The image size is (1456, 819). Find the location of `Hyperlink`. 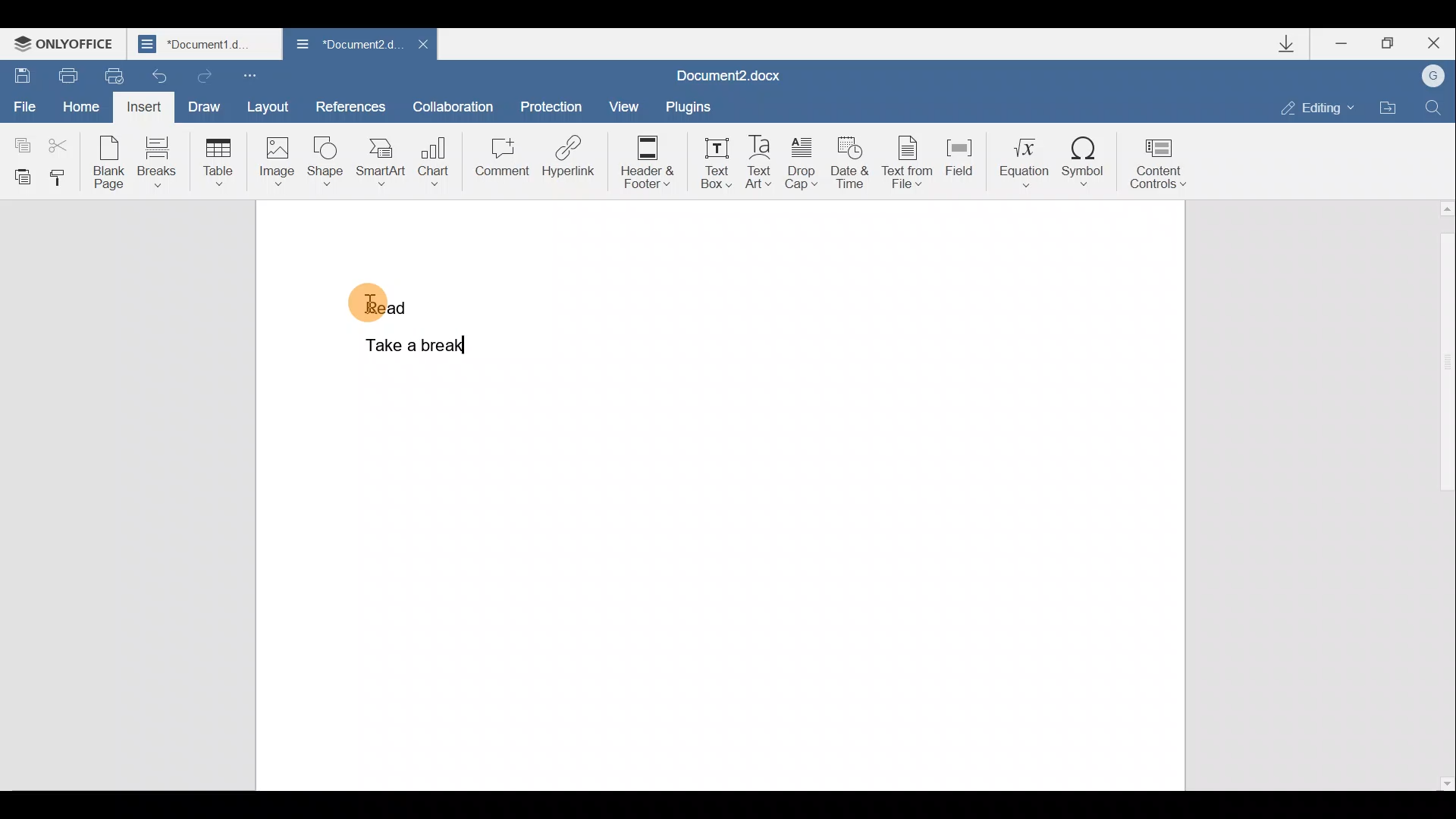

Hyperlink is located at coordinates (569, 155).